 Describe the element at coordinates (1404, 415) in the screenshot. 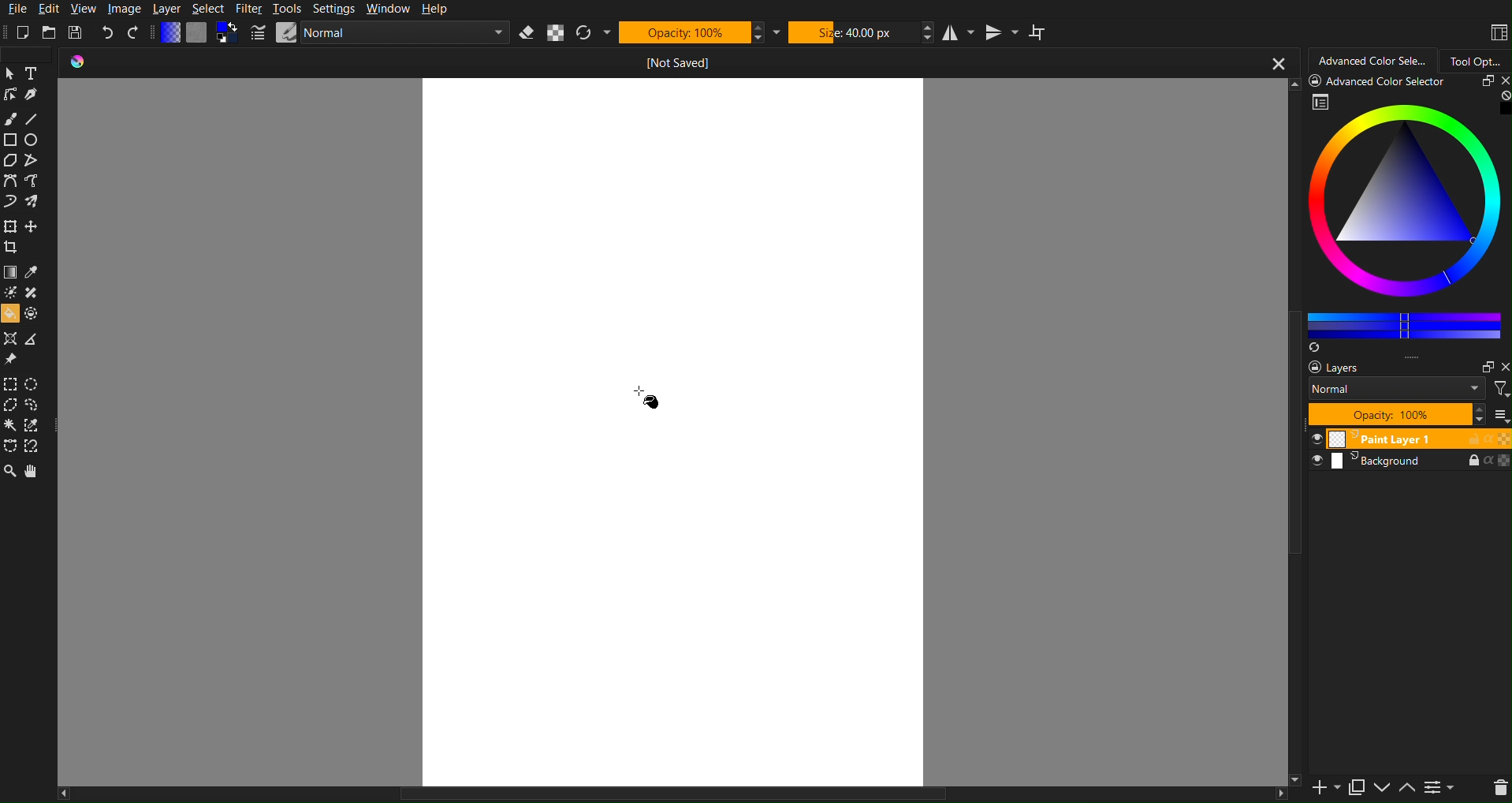

I see `opacity 100%` at that location.